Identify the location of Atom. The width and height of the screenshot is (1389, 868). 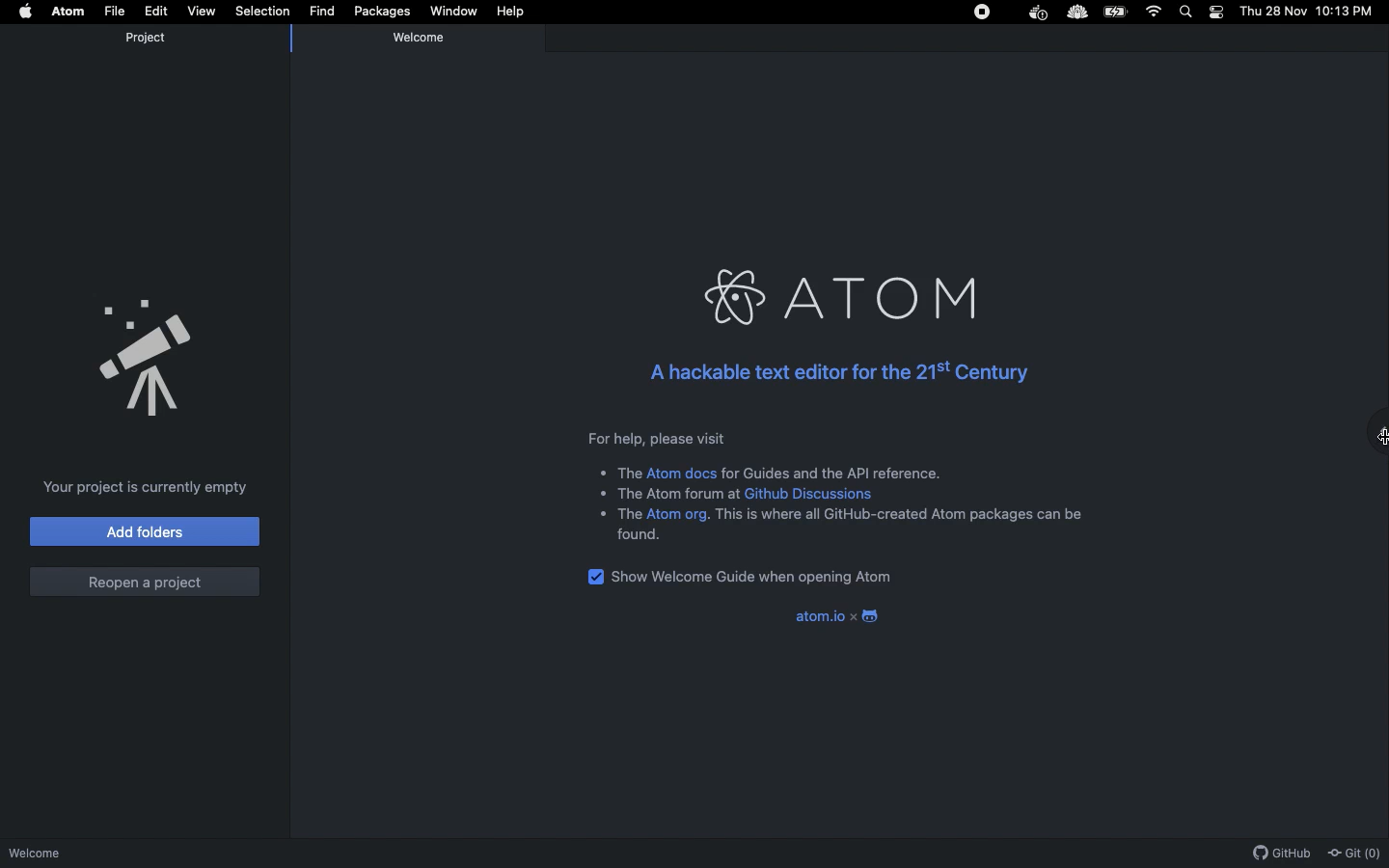
(68, 12).